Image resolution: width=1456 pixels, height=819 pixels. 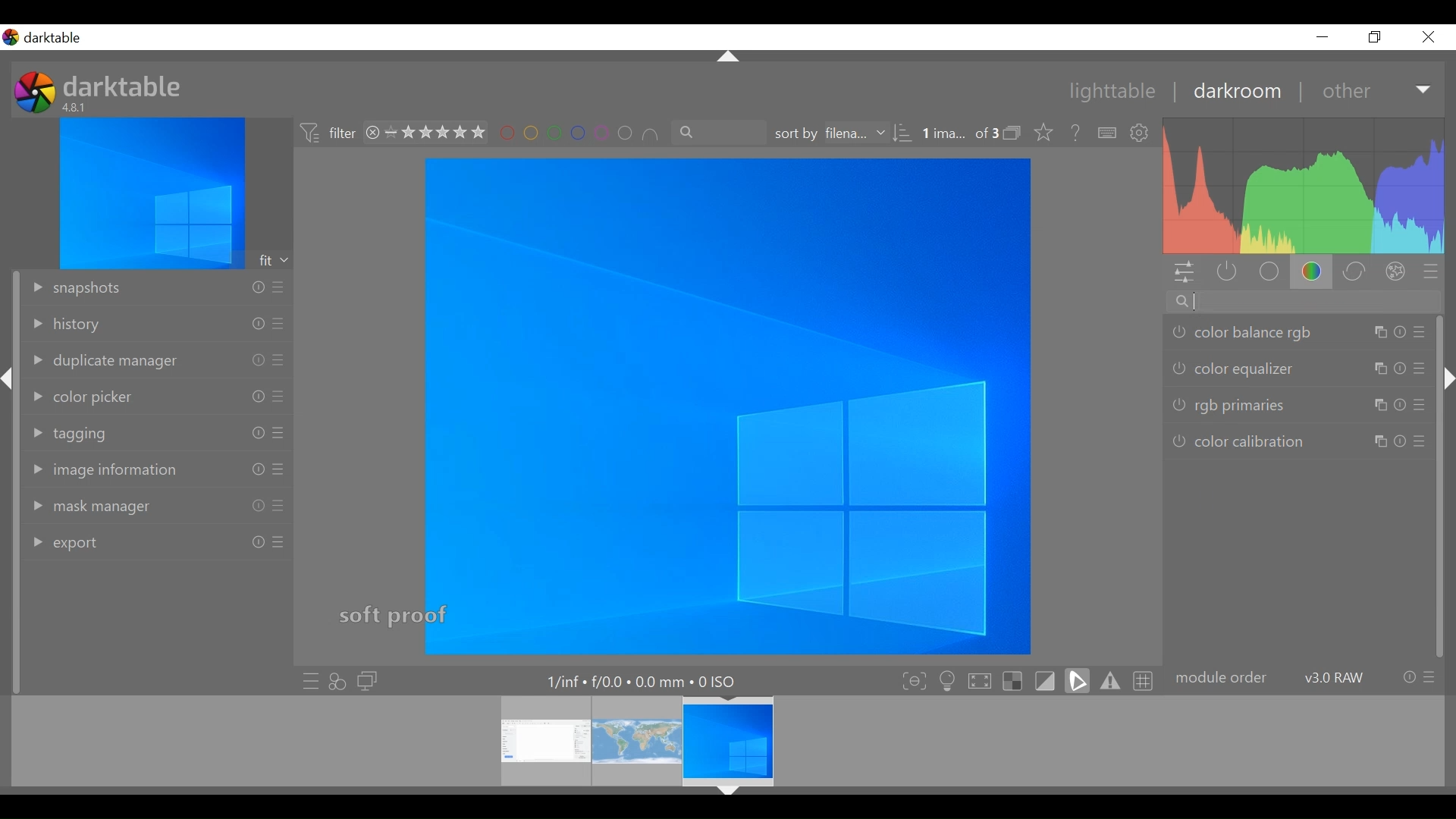 I want to click on toggle guide lines , so click(x=1144, y=681).